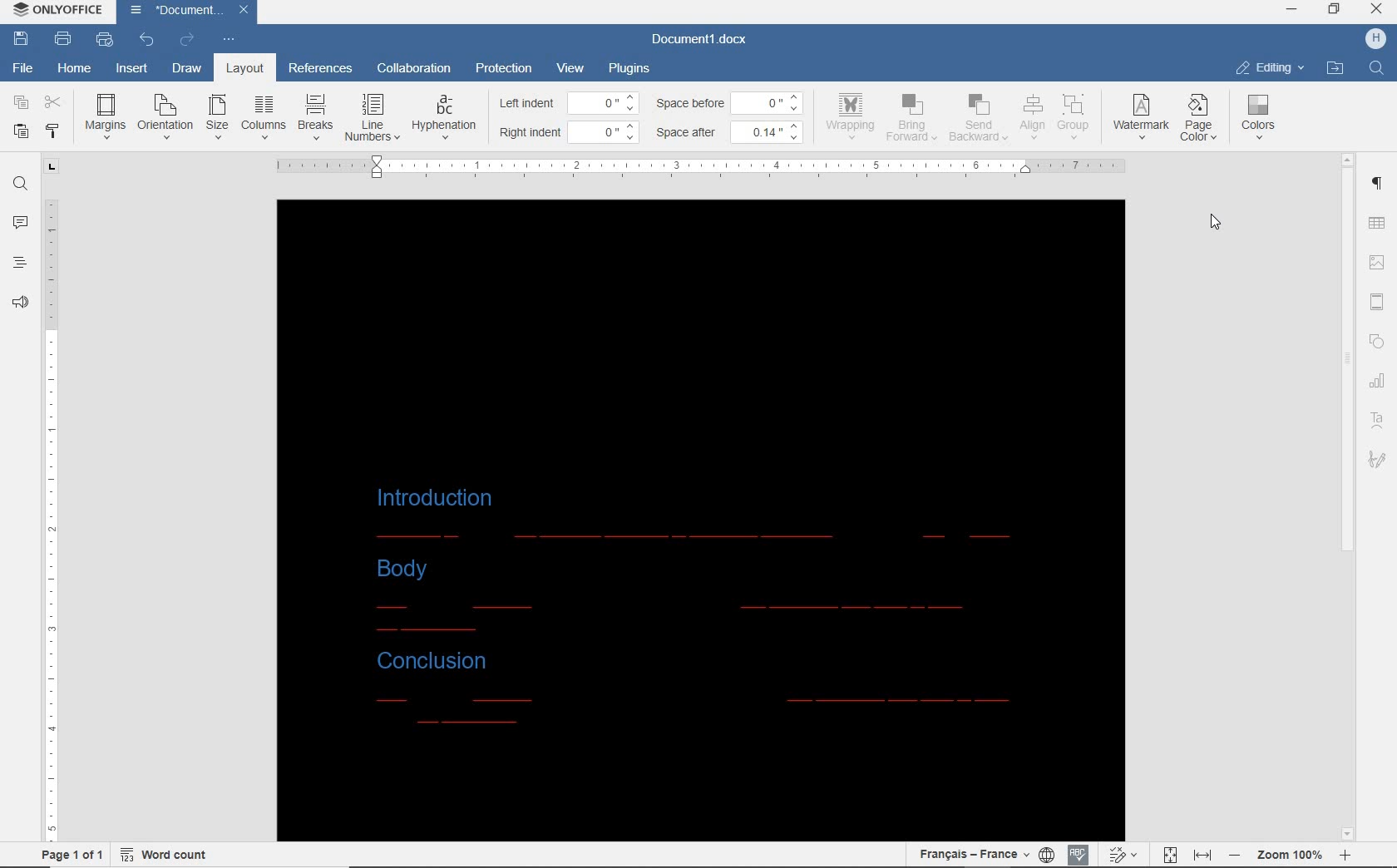 The width and height of the screenshot is (1397, 868). I want to click on text art, so click(1378, 420).